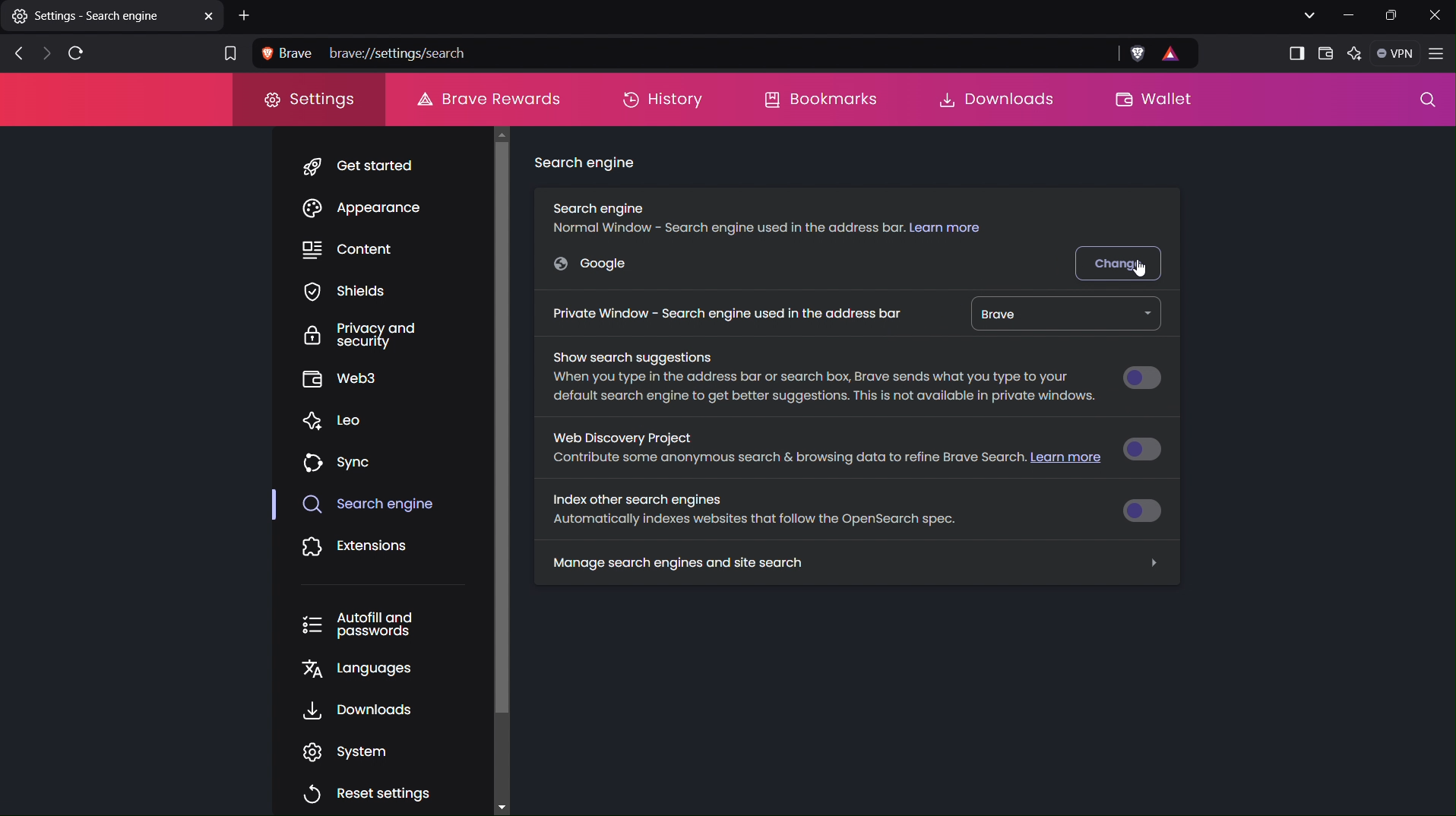  What do you see at coordinates (663, 99) in the screenshot?
I see `History` at bounding box center [663, 99].